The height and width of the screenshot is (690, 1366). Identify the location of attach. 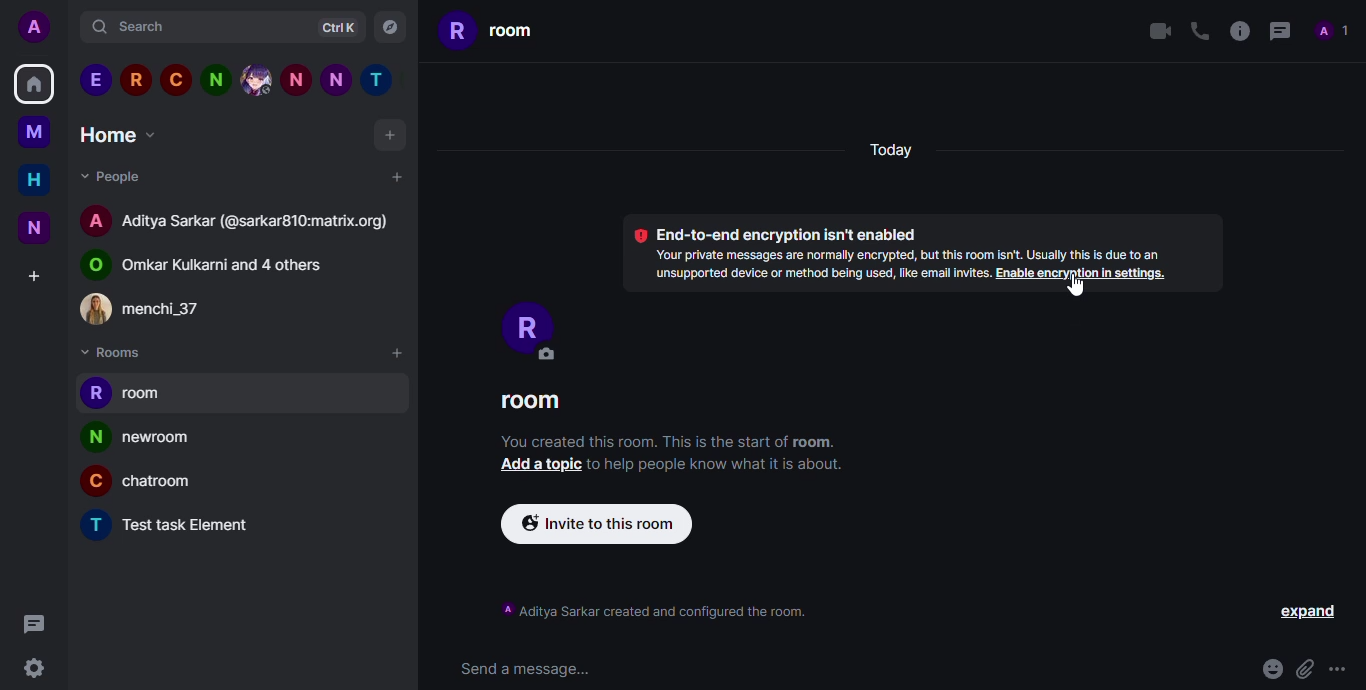
(1303, 665).